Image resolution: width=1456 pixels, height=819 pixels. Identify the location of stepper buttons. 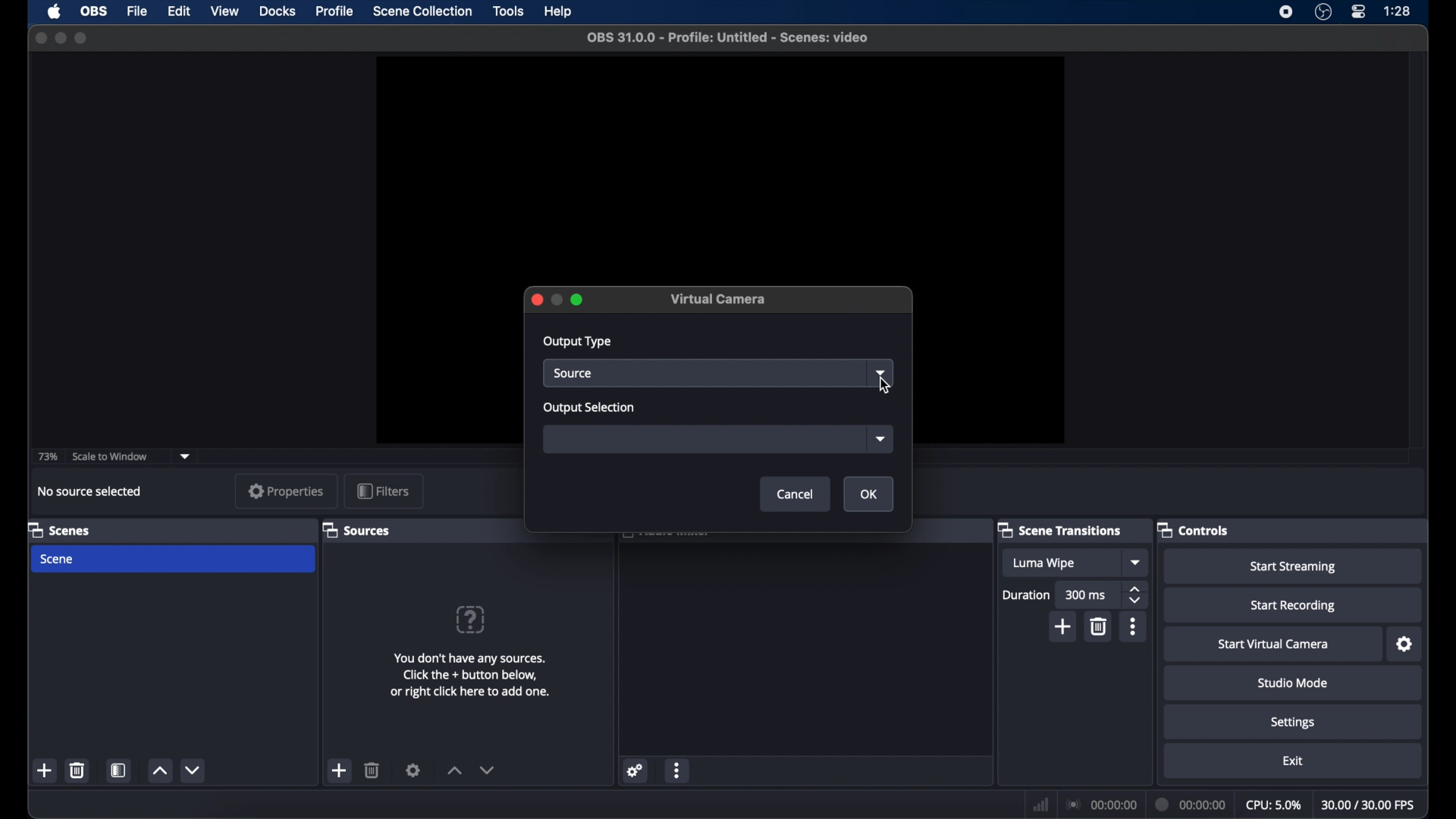
(1134, 595).